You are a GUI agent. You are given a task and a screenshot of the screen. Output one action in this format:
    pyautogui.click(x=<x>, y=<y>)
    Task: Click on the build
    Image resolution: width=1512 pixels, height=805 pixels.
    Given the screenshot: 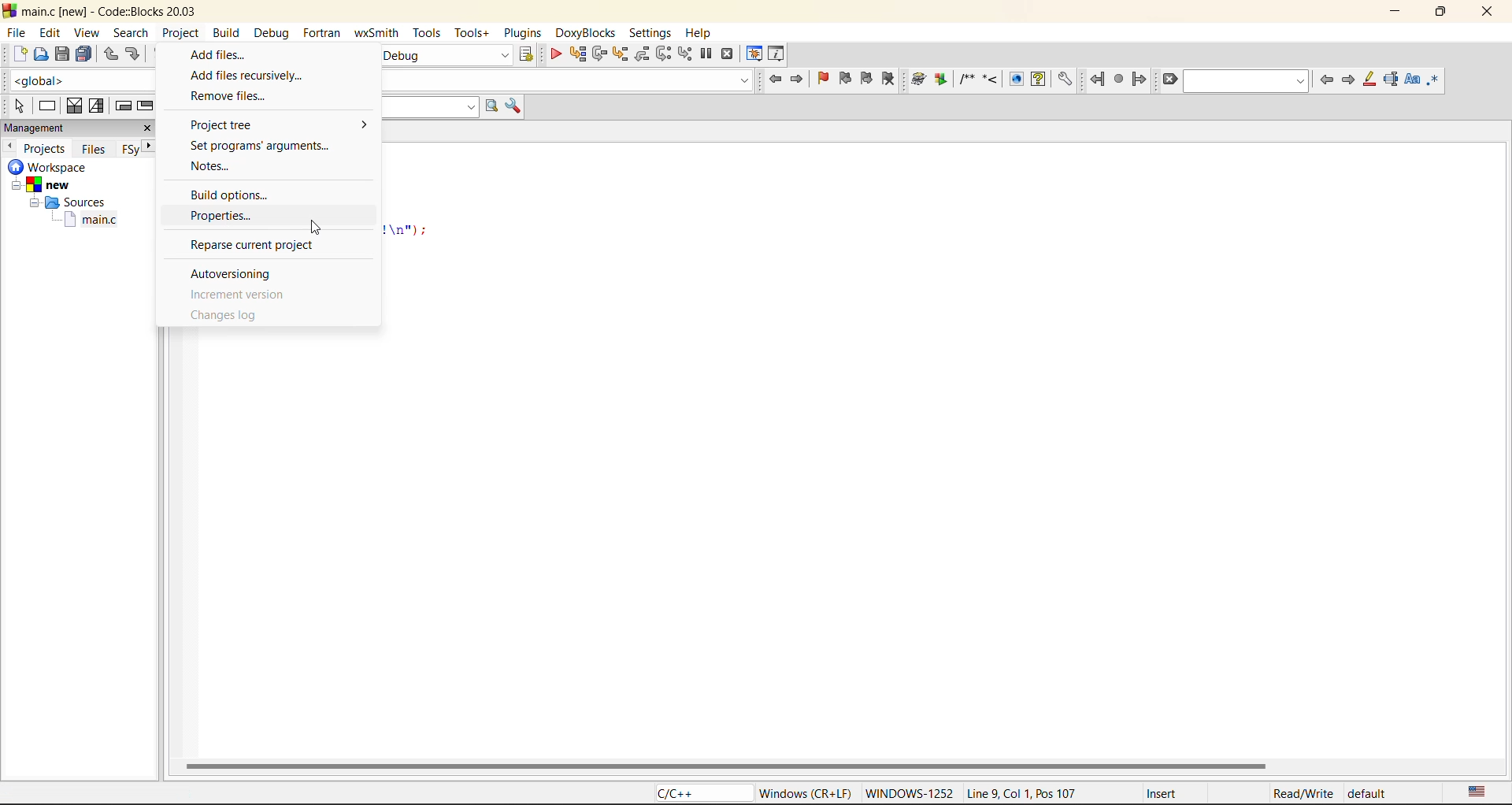 What is the action you would take?
    pyautogui.click(x=229, y=31)
    